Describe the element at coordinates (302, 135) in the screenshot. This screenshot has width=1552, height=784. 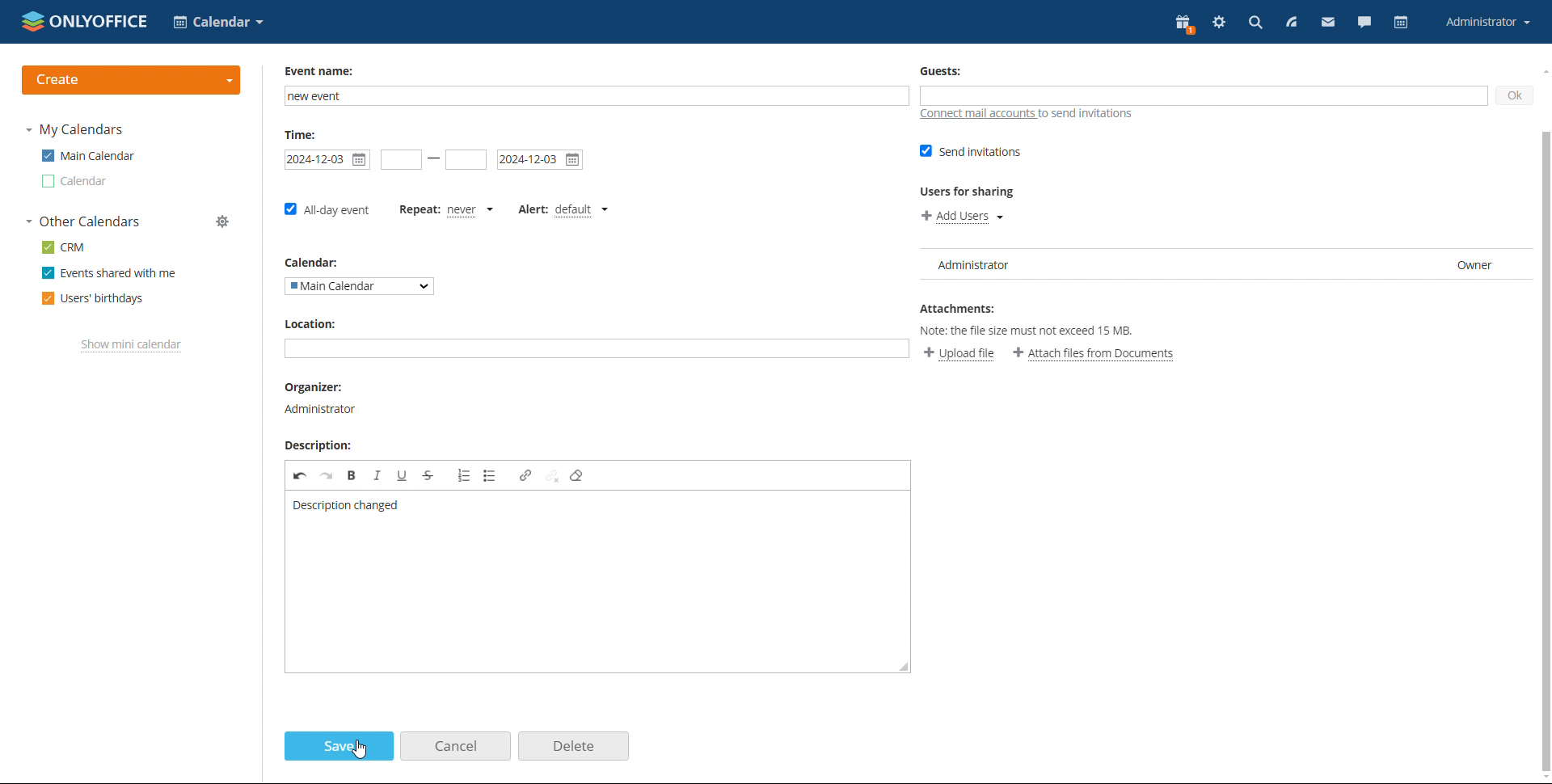
I see `Time:` at that location.